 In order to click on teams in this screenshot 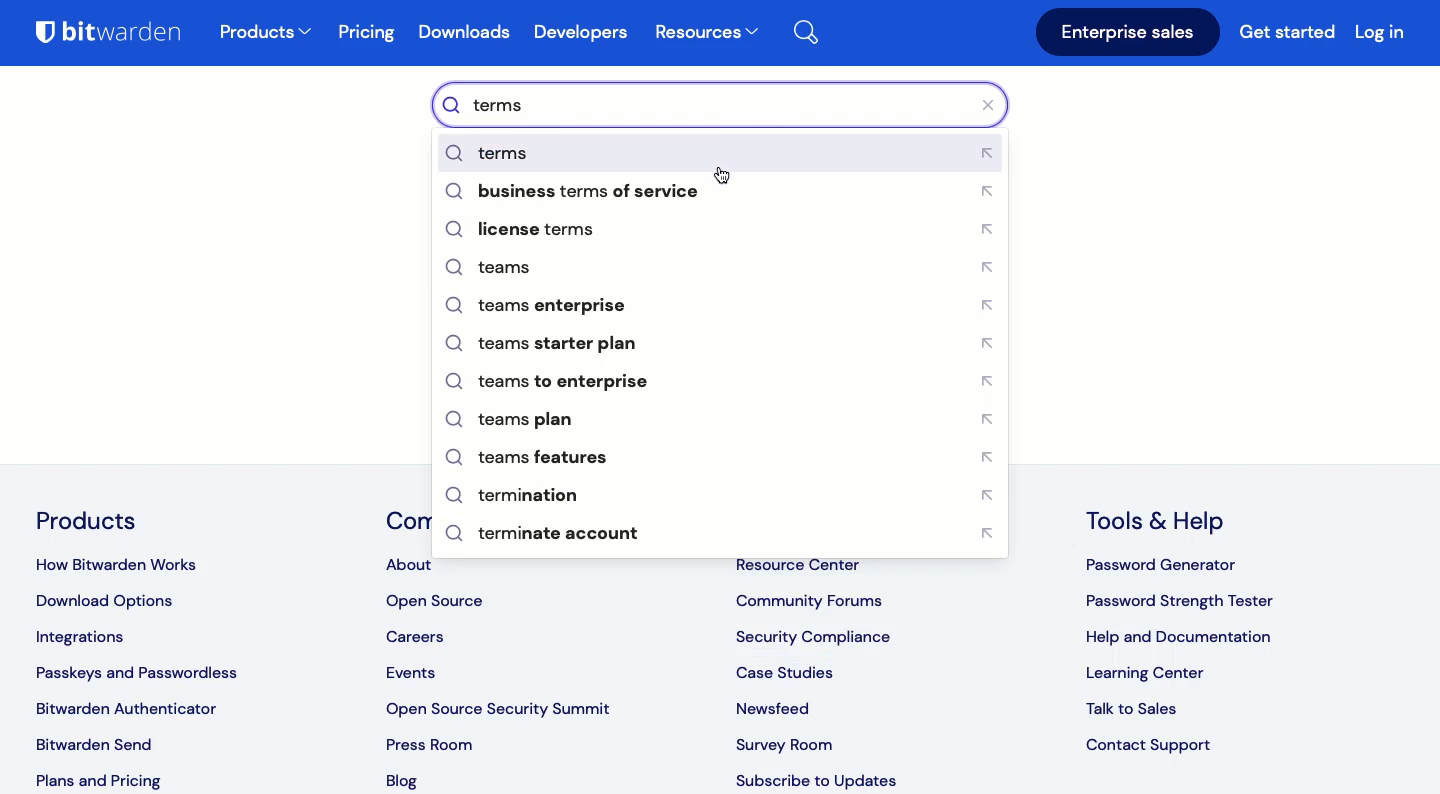, I will do `click(723, 269)`.